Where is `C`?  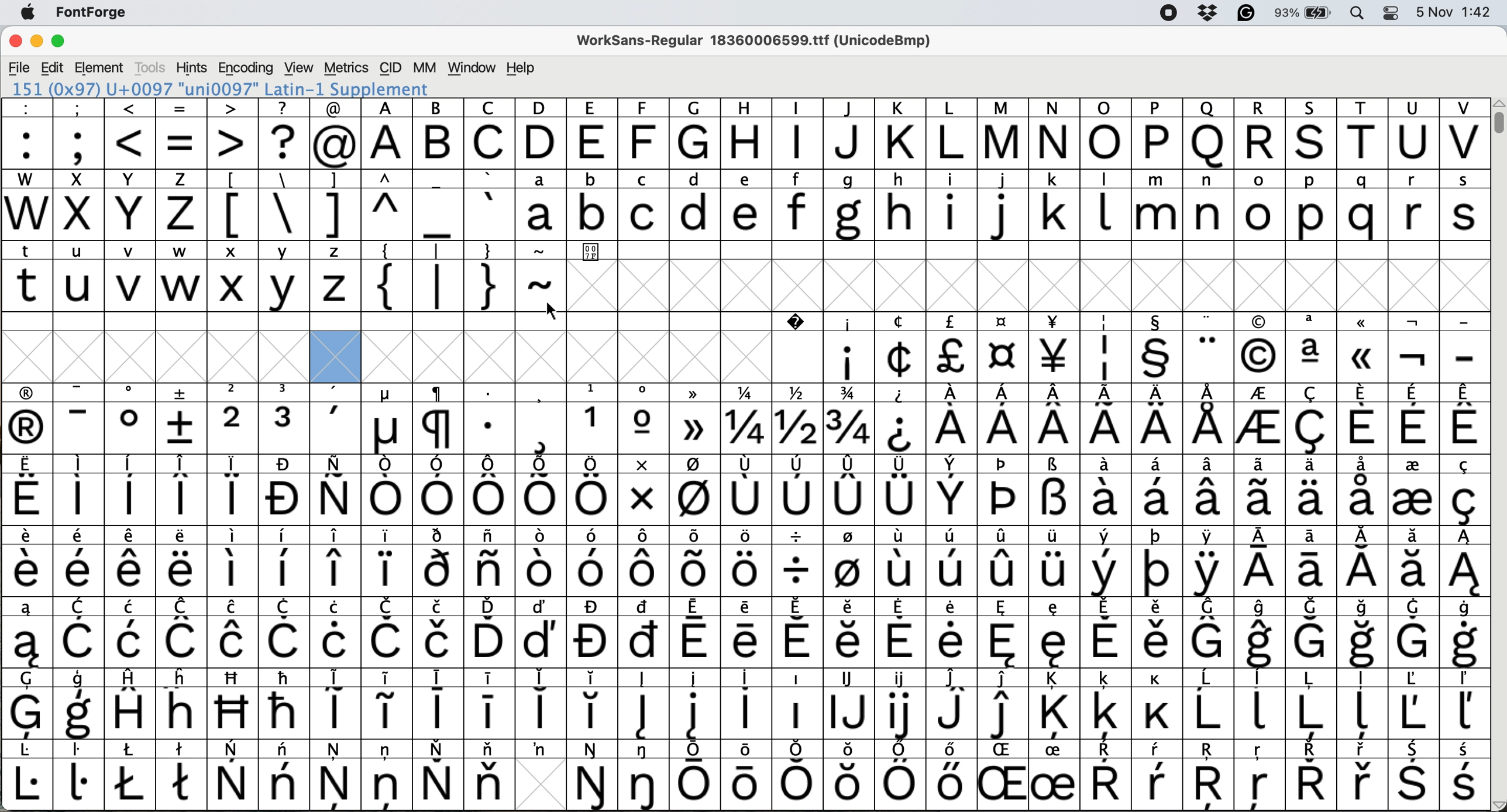
C is located at coordinates (489, 133).